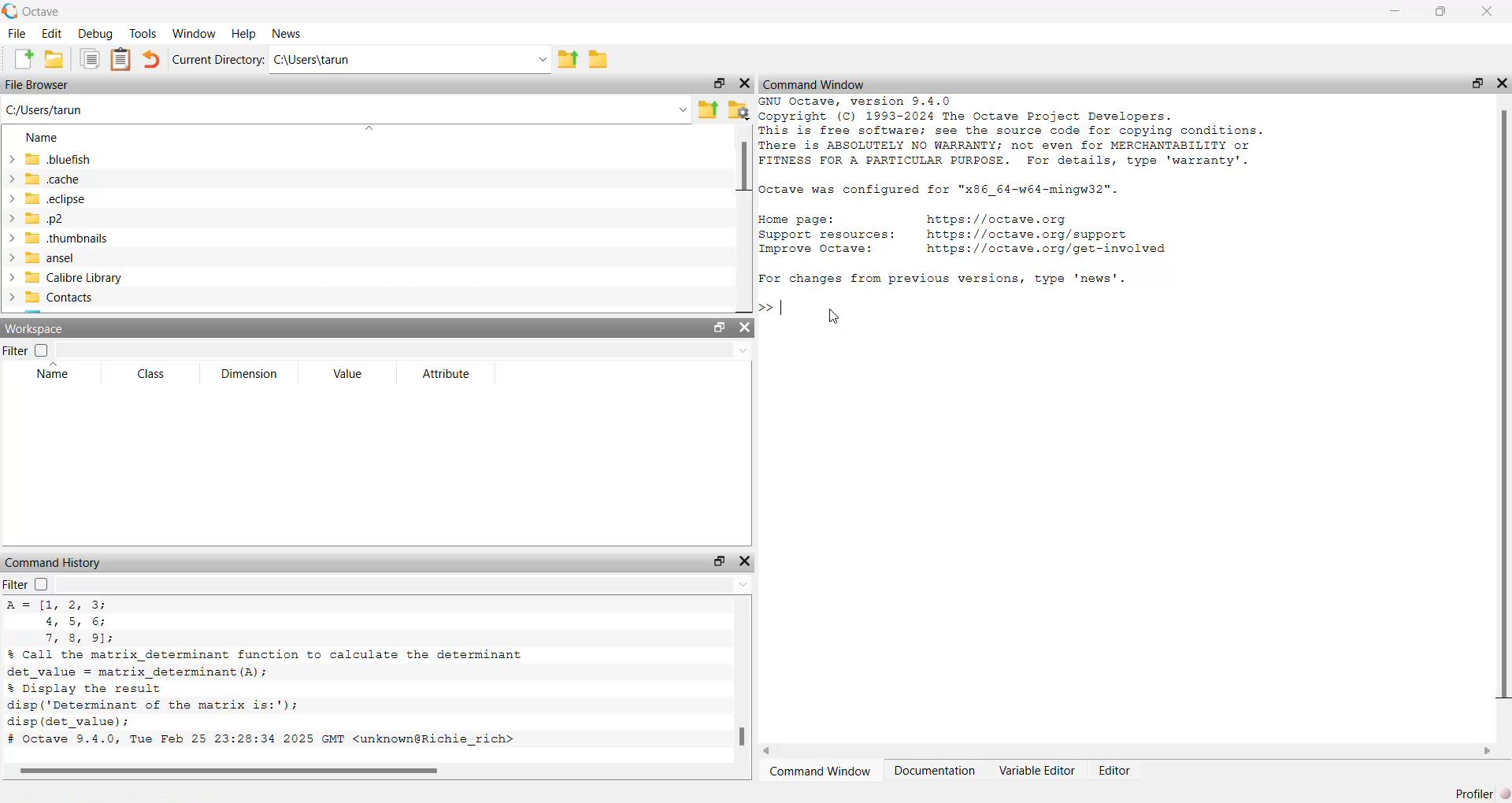  Describe the element at coordinates (144, 33) in the screenshot. I see `Tools` at that location.